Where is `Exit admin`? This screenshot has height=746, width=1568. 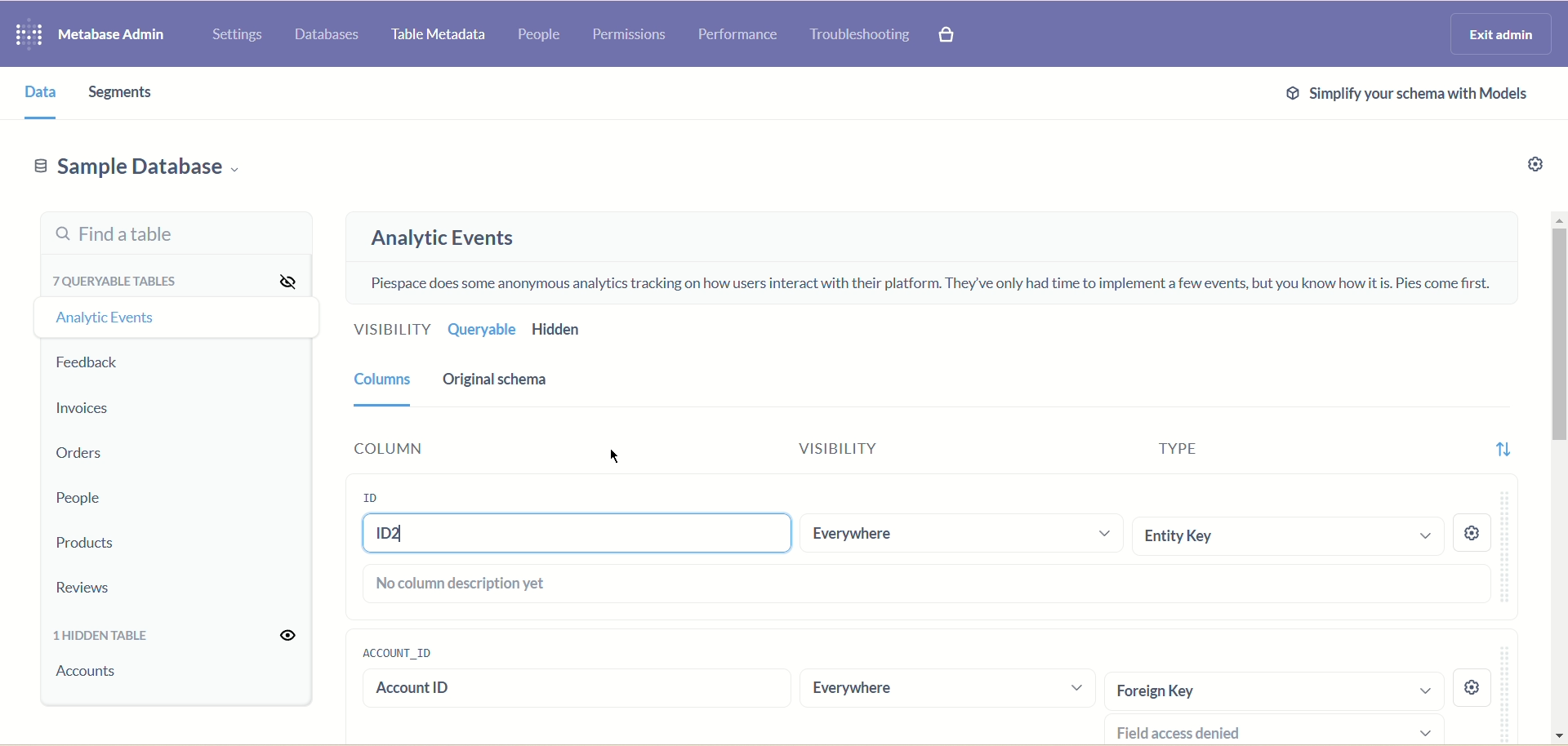
Exit admin is located at coordinates (1493, 35).